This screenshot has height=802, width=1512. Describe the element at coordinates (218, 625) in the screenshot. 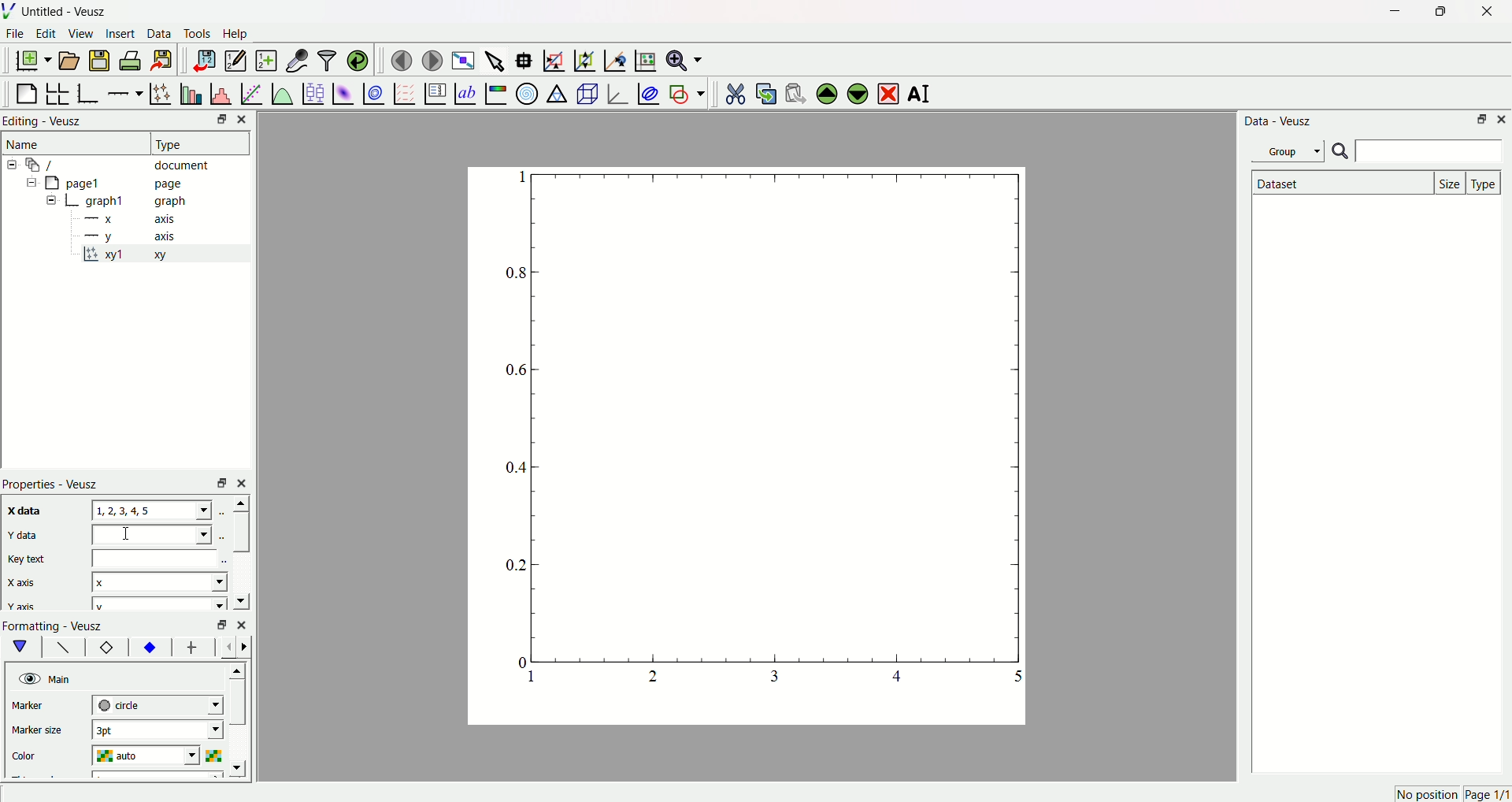

I see `minimise` at that location.